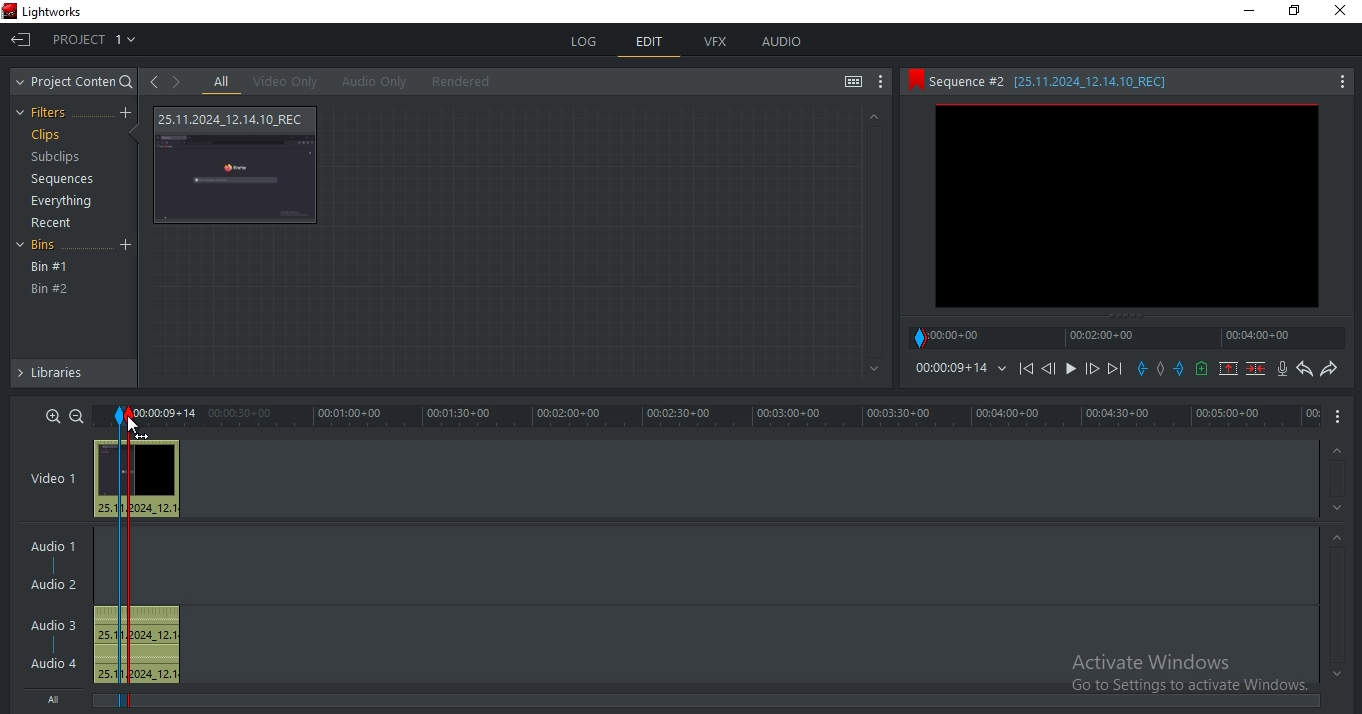 The height and width of the screenshot is (714, 1362). Describe the element at coordinates (1048, 368) in the screenshot. I see `Previous` at that location.